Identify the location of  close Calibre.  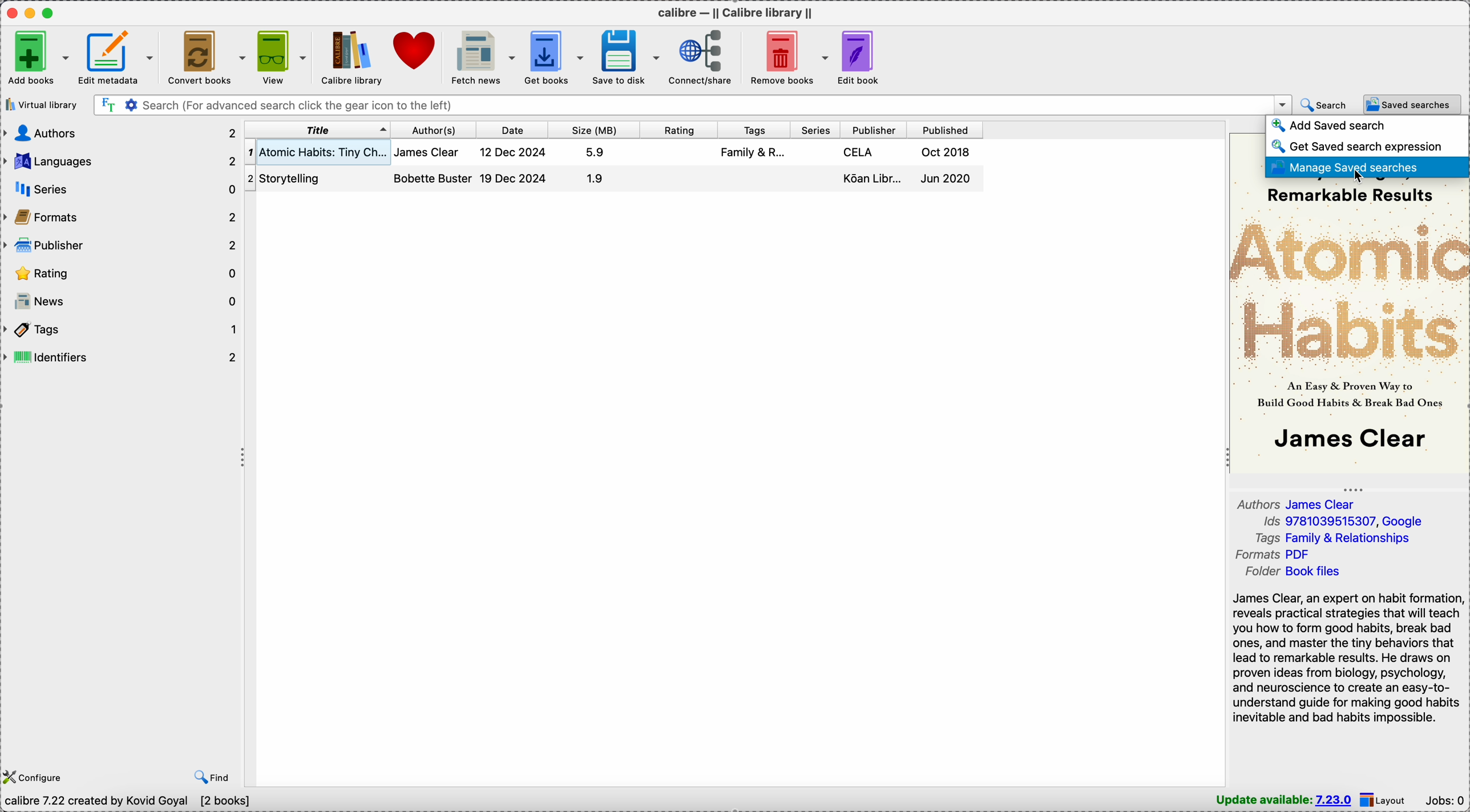
(11, 13).